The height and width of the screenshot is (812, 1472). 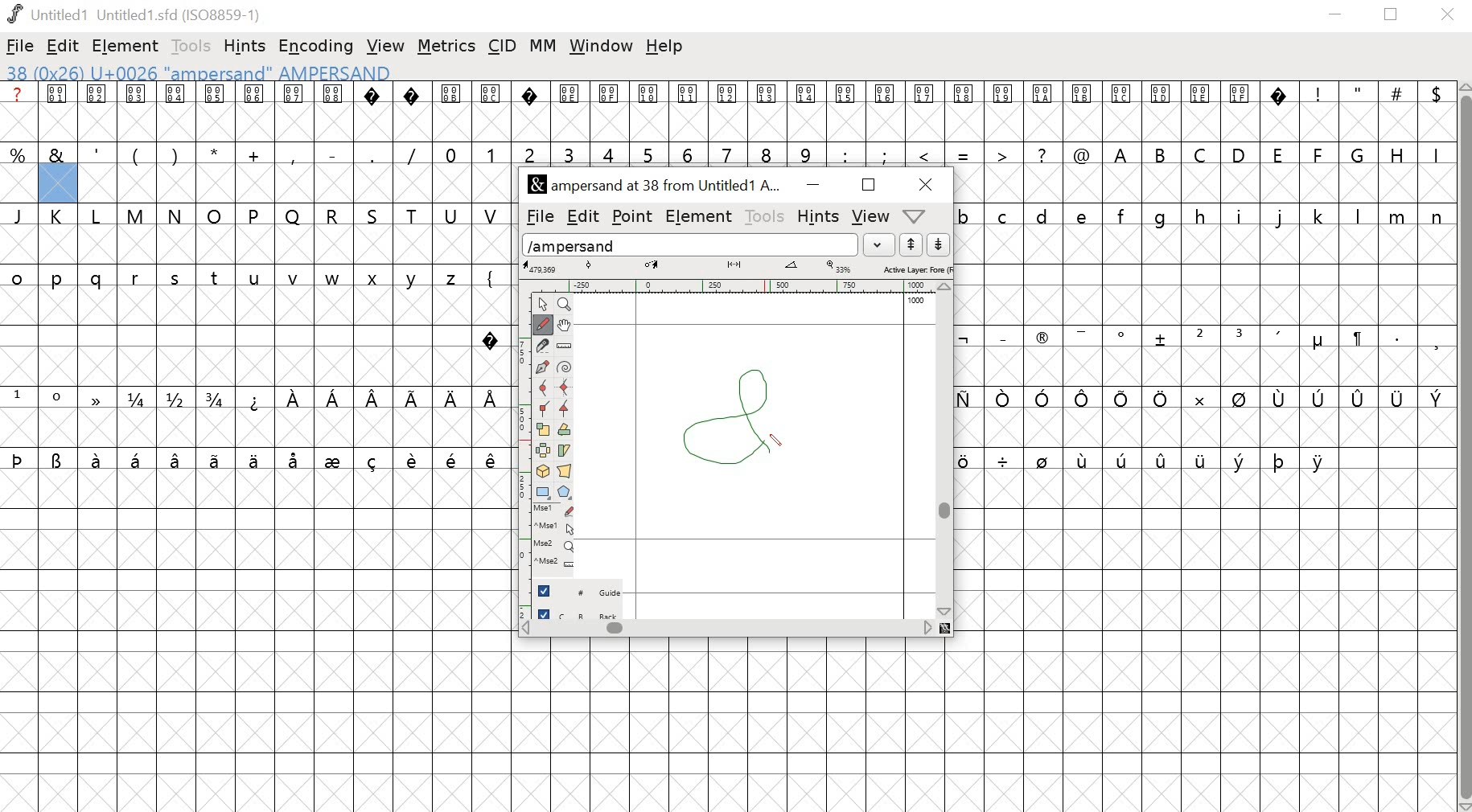 What do you see at coordinates (1004, 399) in the screenshot?
I see `symbol` at bounding box center [1004, 399].